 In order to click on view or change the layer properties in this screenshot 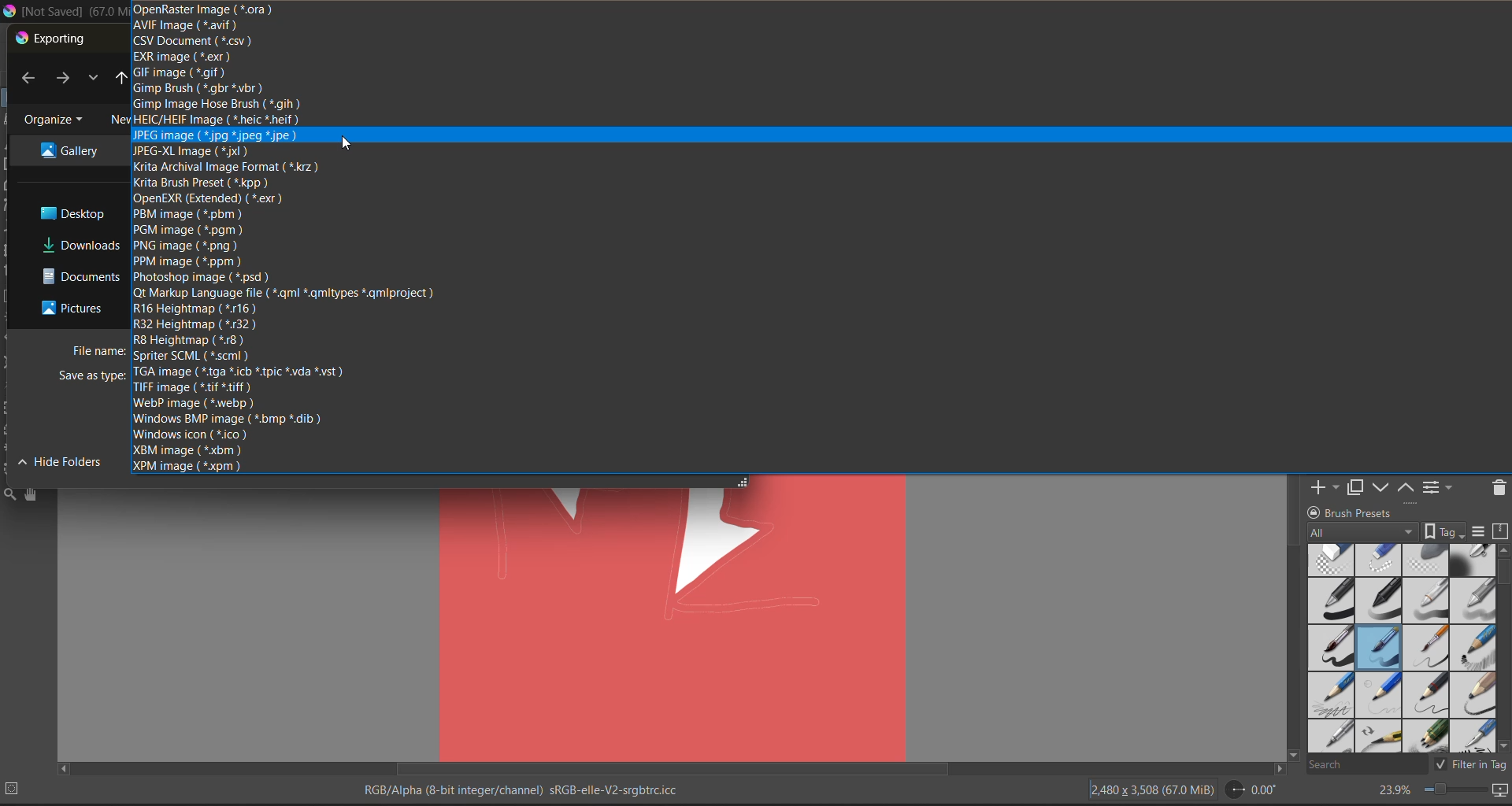, I will do `click(1439, 486)`.